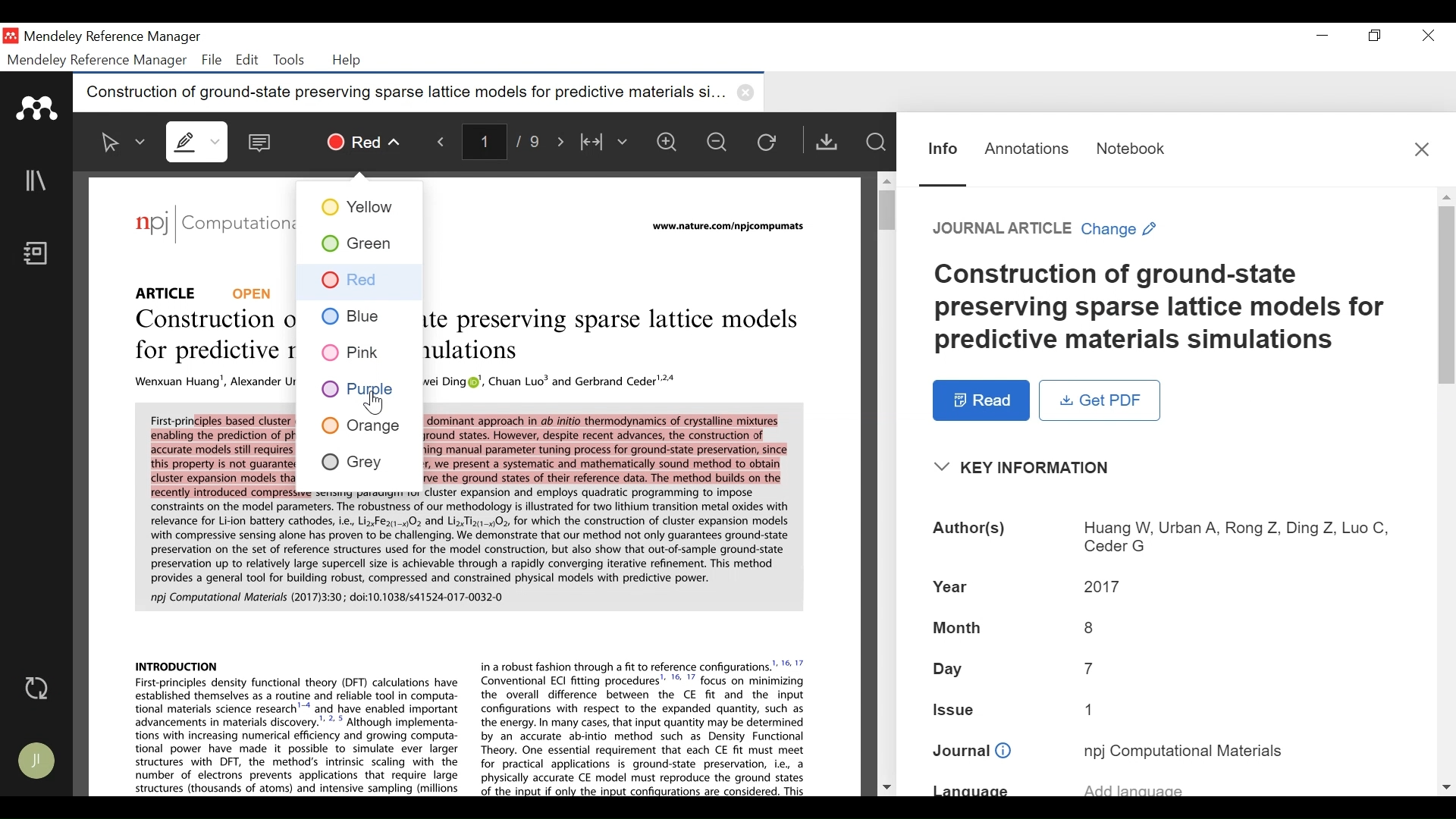 The height and width of the screenshot is (819, 1456). I want to click on Reload, so click(771, 143).